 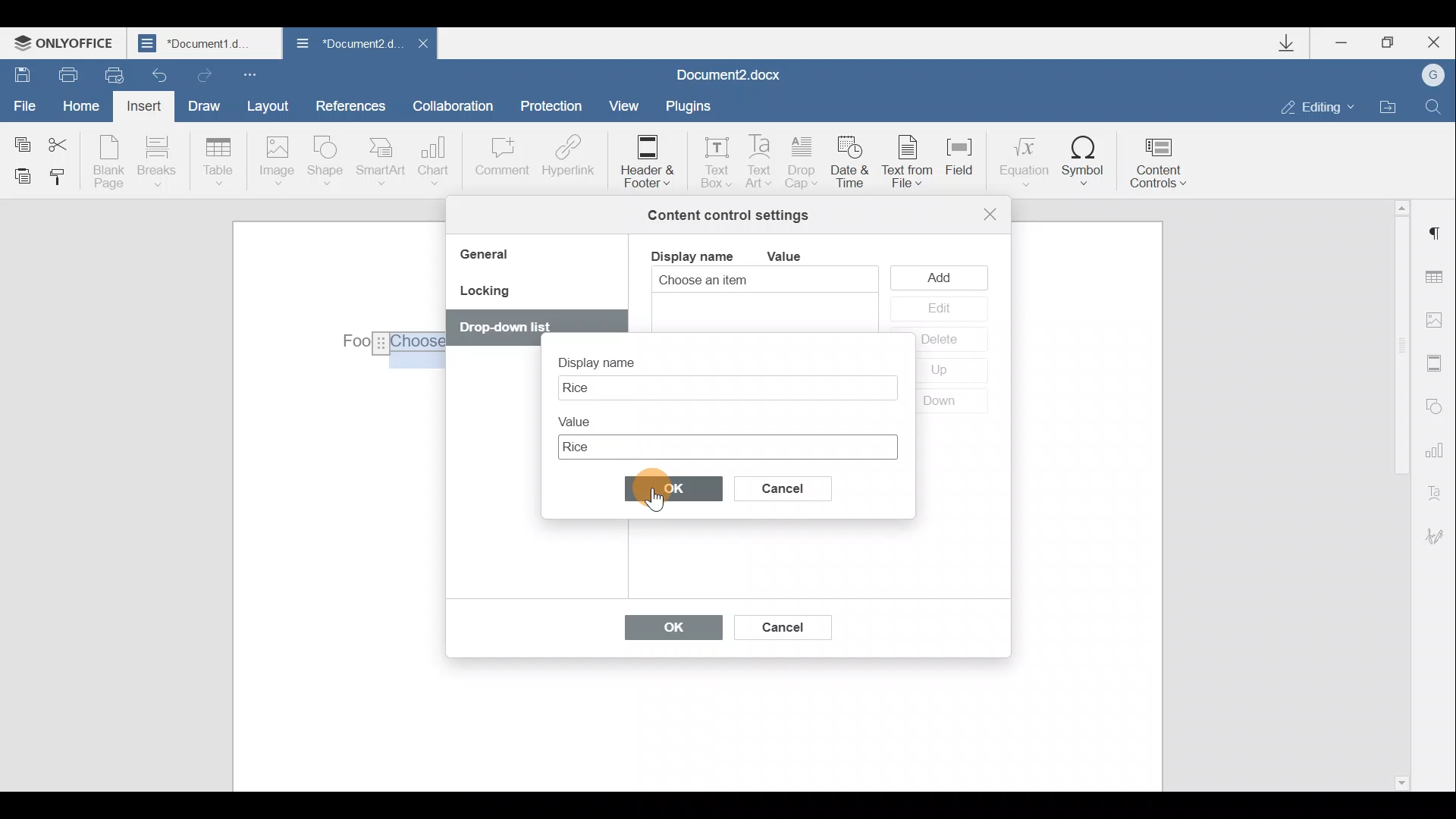 I want to click on Redo, so click(x=202, y=72).